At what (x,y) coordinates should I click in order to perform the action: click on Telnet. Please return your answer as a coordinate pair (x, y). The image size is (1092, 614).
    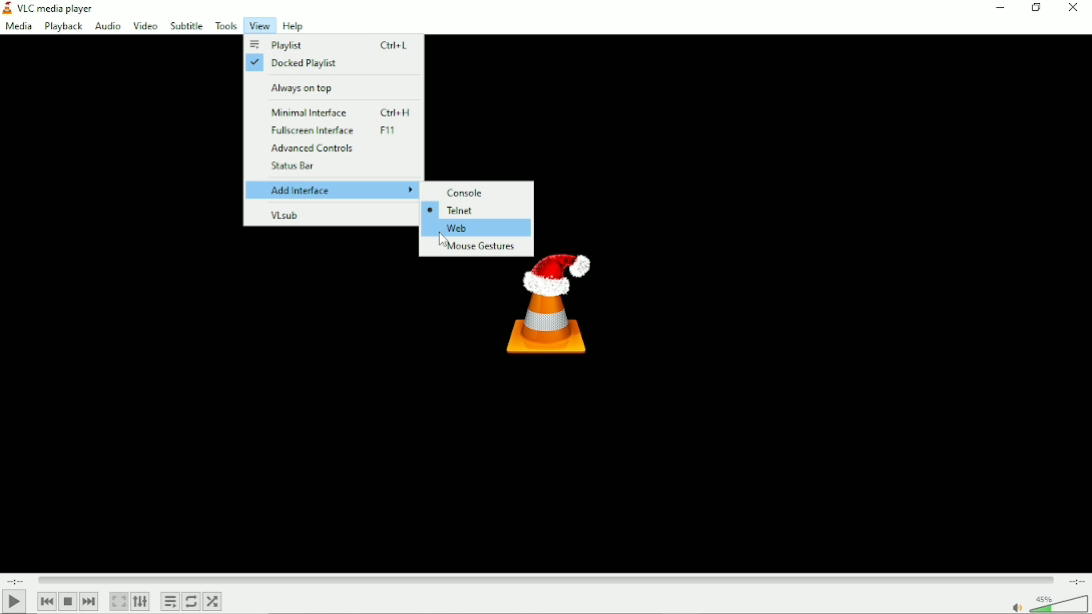
    Looking at the image, I should click on (454, 210).